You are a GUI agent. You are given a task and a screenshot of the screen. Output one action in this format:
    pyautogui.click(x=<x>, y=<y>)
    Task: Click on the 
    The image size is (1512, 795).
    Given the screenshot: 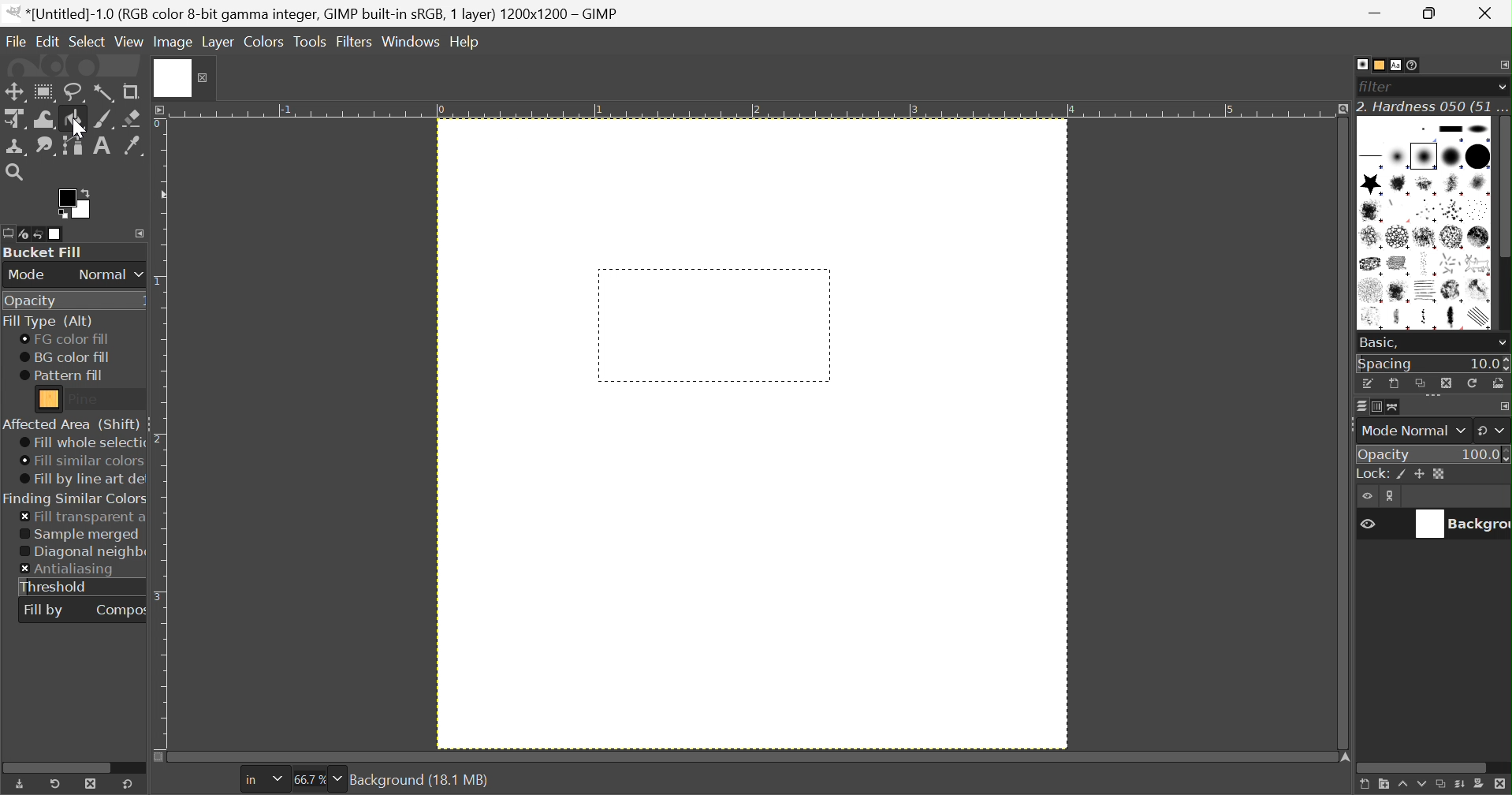 What is the action you would take?
    pyautogui.click(x=1459, y=786)
    